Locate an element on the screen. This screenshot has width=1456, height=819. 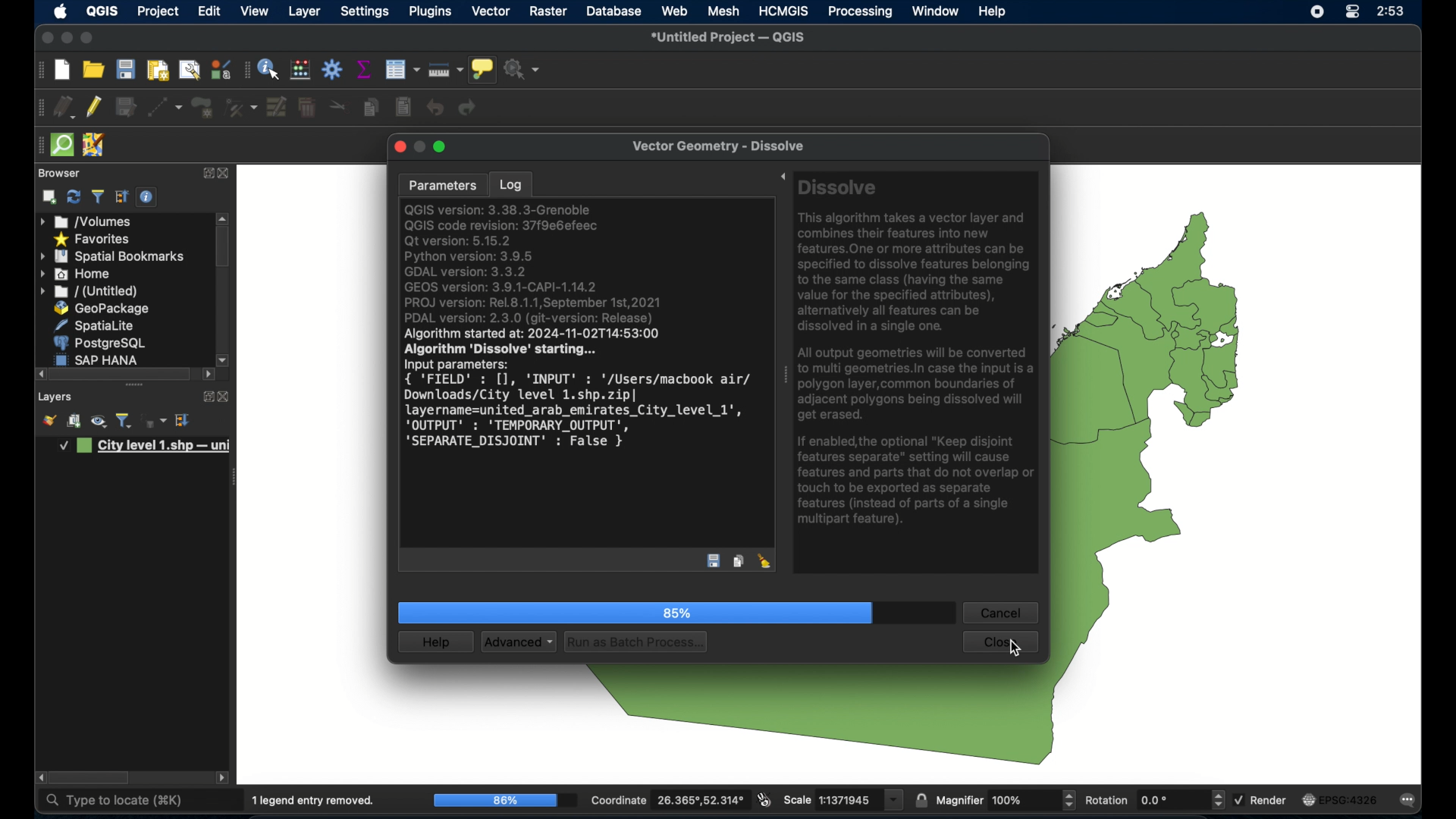
view is located at coordinates (254, 11).